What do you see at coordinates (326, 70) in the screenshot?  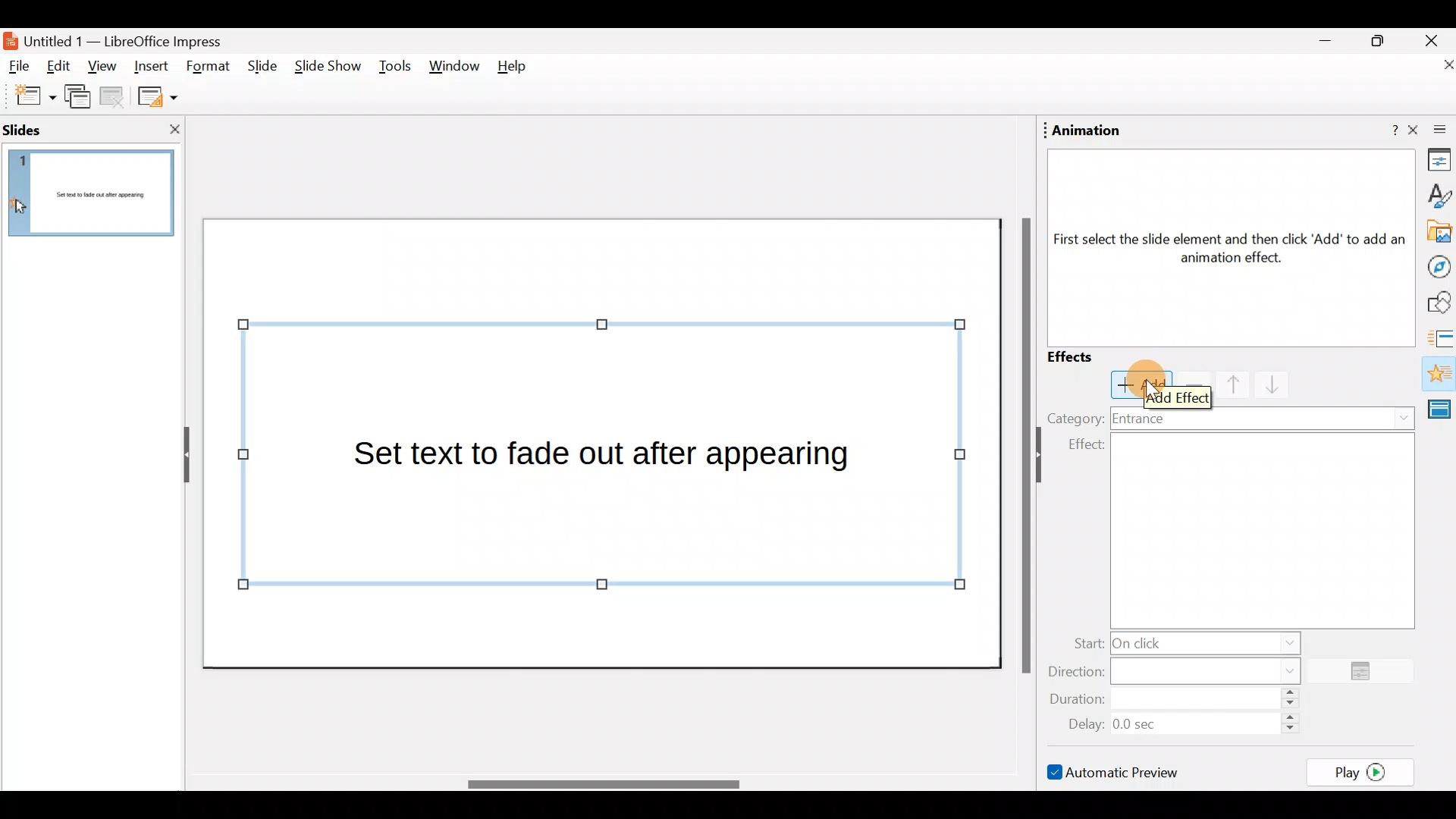 I see `Slide show` at bounding box center [326, 70].